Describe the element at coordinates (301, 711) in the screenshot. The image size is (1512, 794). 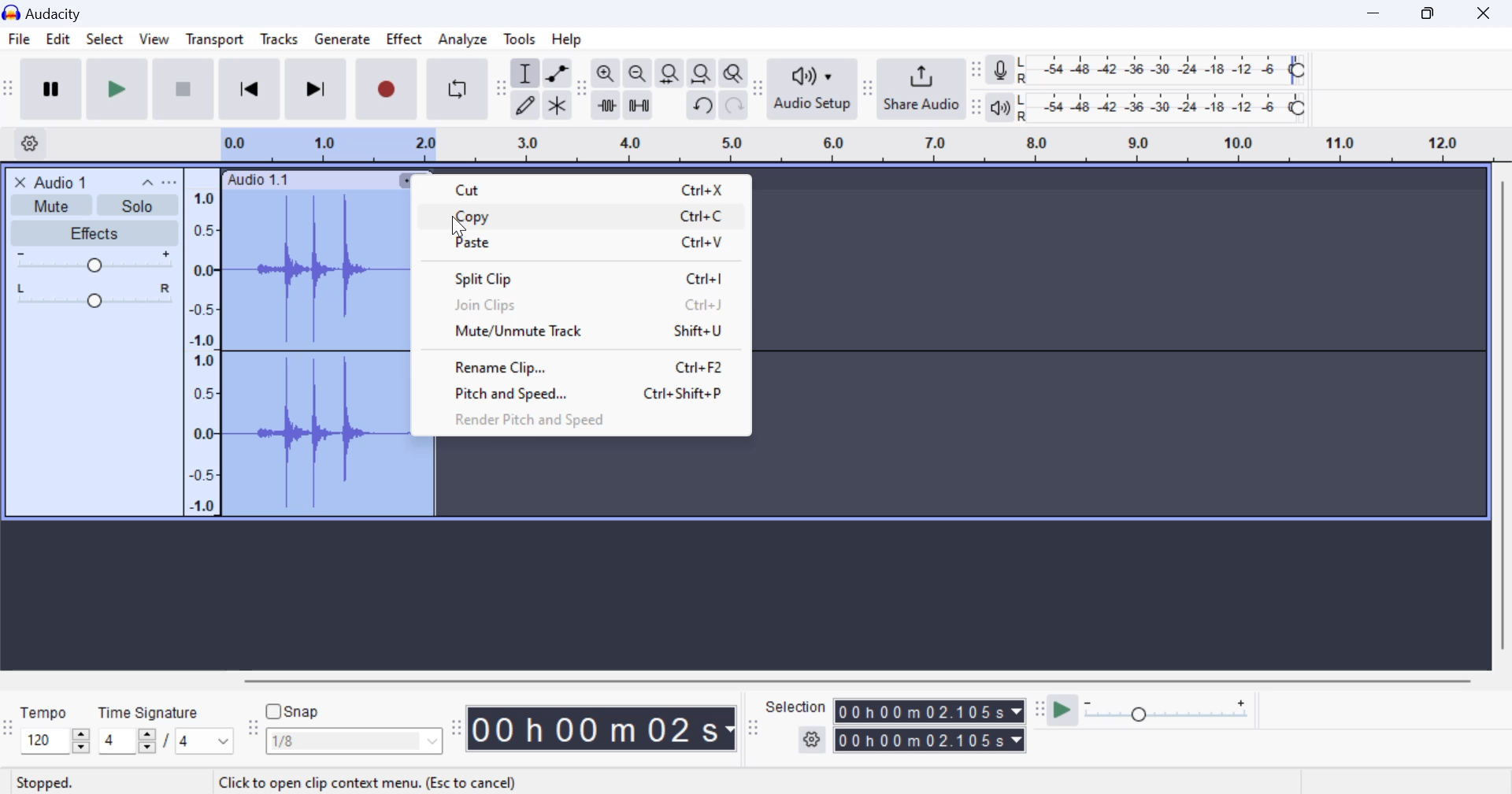
I see `snap toggle` at that location.